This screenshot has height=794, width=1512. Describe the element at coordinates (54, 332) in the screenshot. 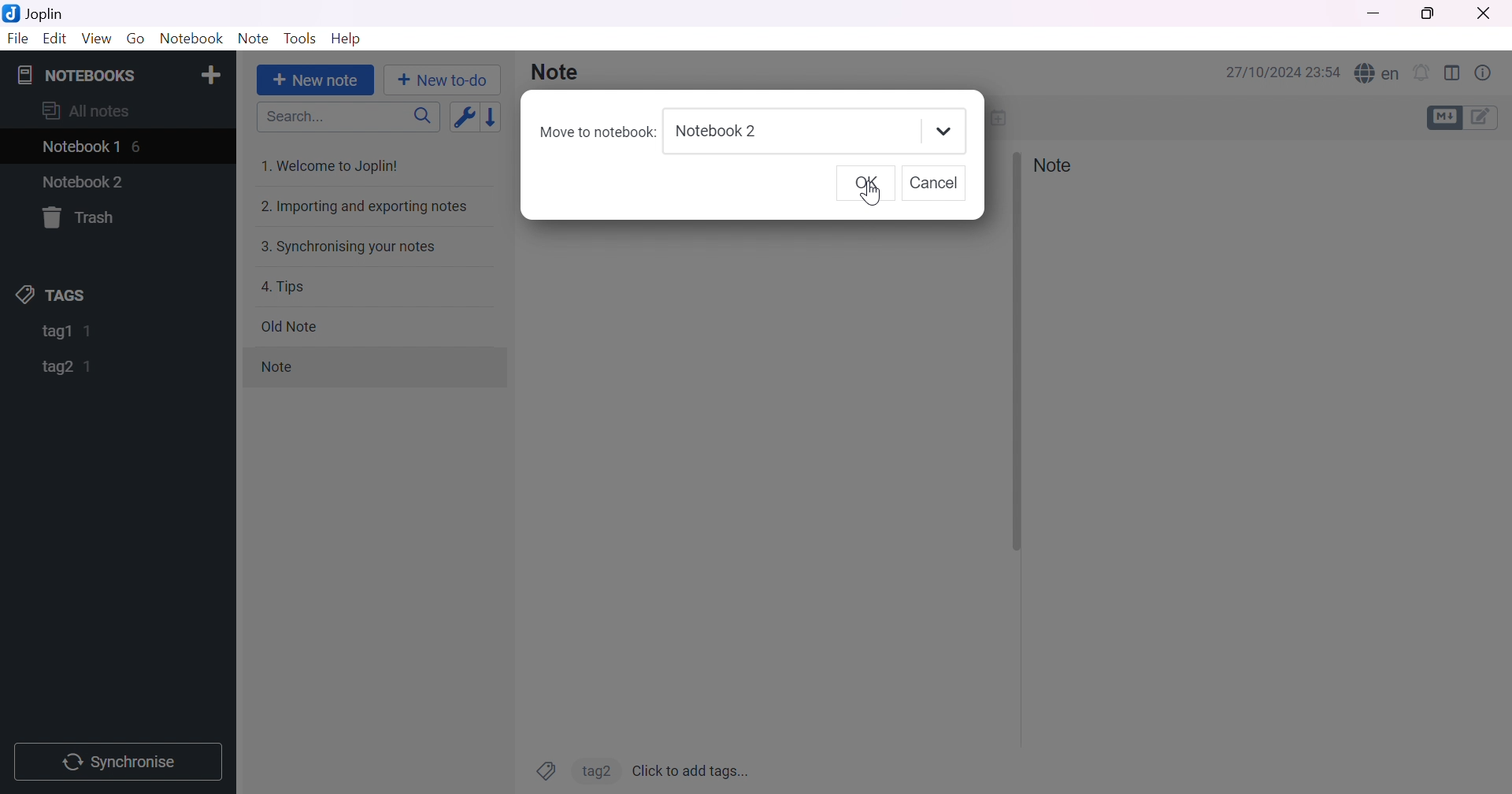

I see `tag1` at that location.